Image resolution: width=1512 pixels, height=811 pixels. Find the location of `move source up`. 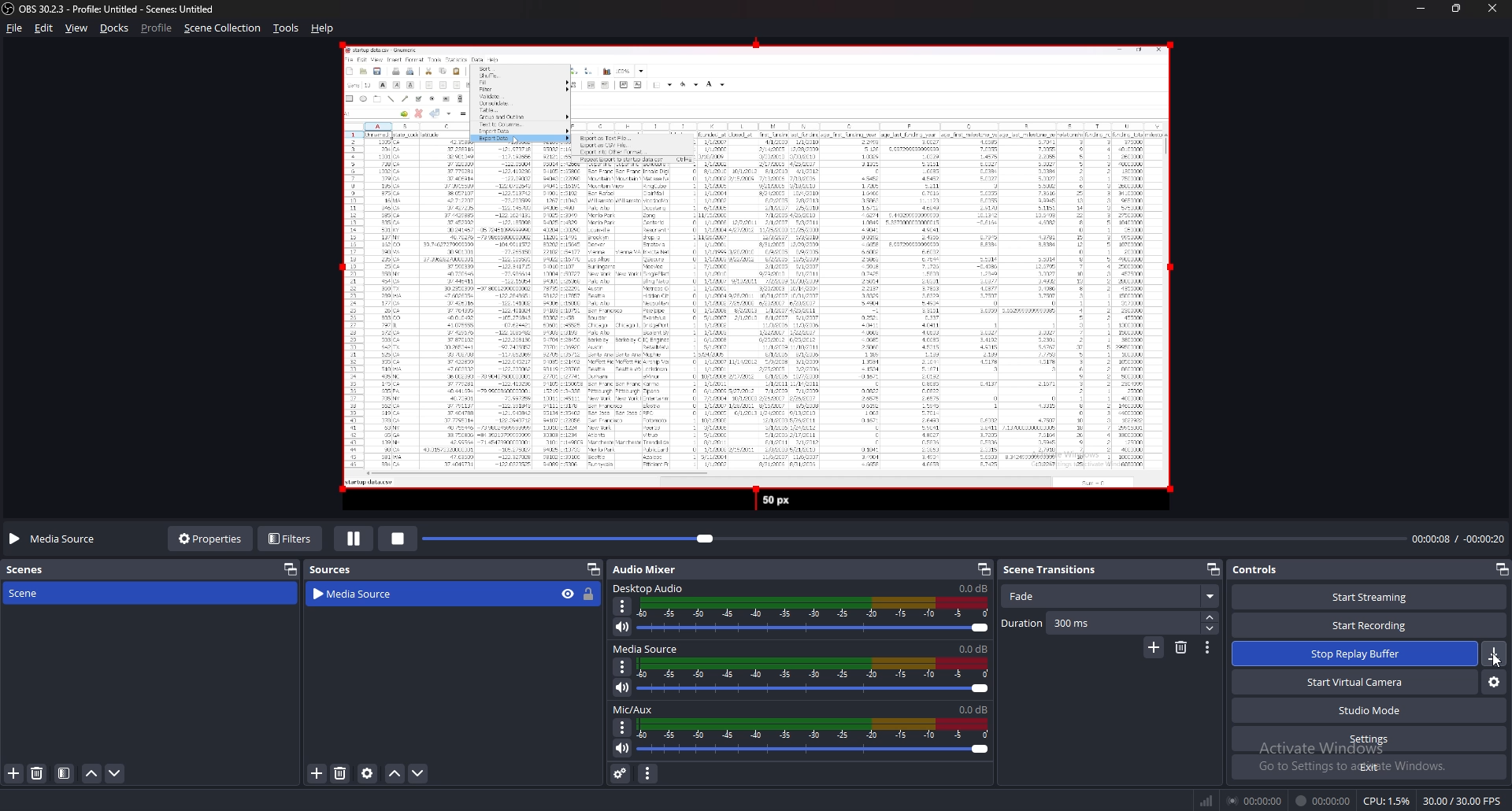

move source up is located at coordinates (395, 773).